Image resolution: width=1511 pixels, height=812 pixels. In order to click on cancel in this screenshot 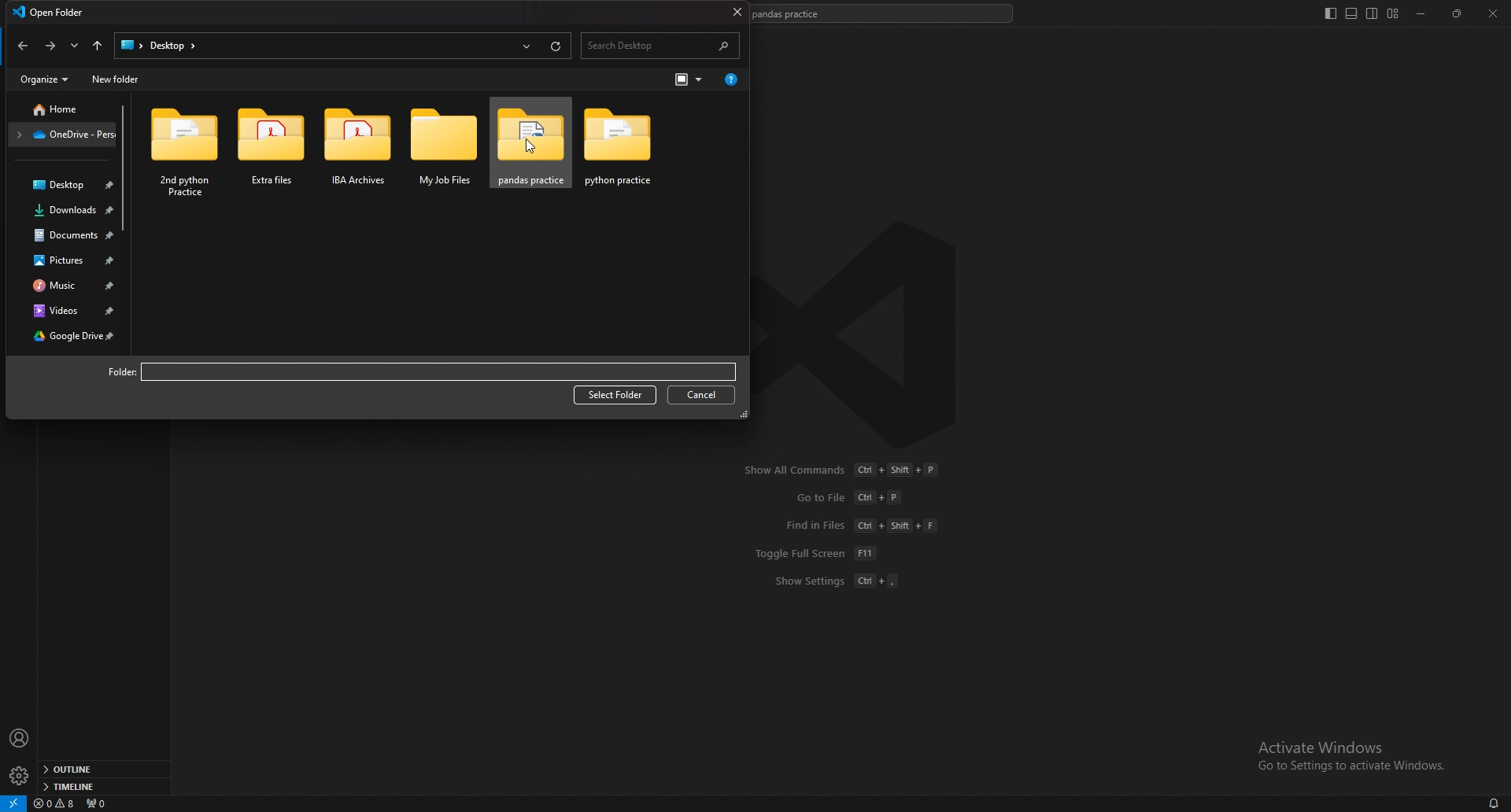, I will do `click(700, 394)`.